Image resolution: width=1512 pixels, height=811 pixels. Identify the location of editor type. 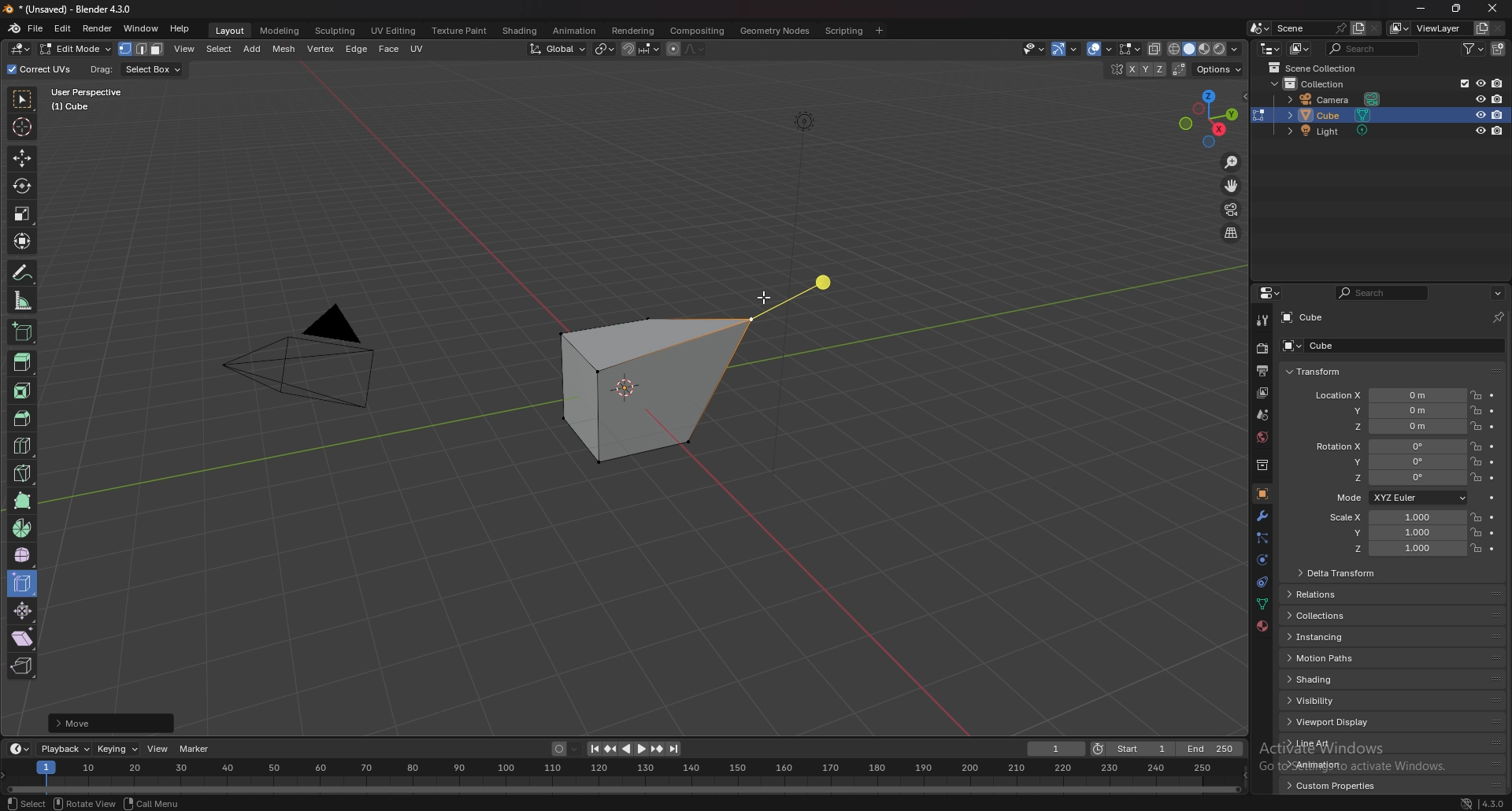
(1272, 293).